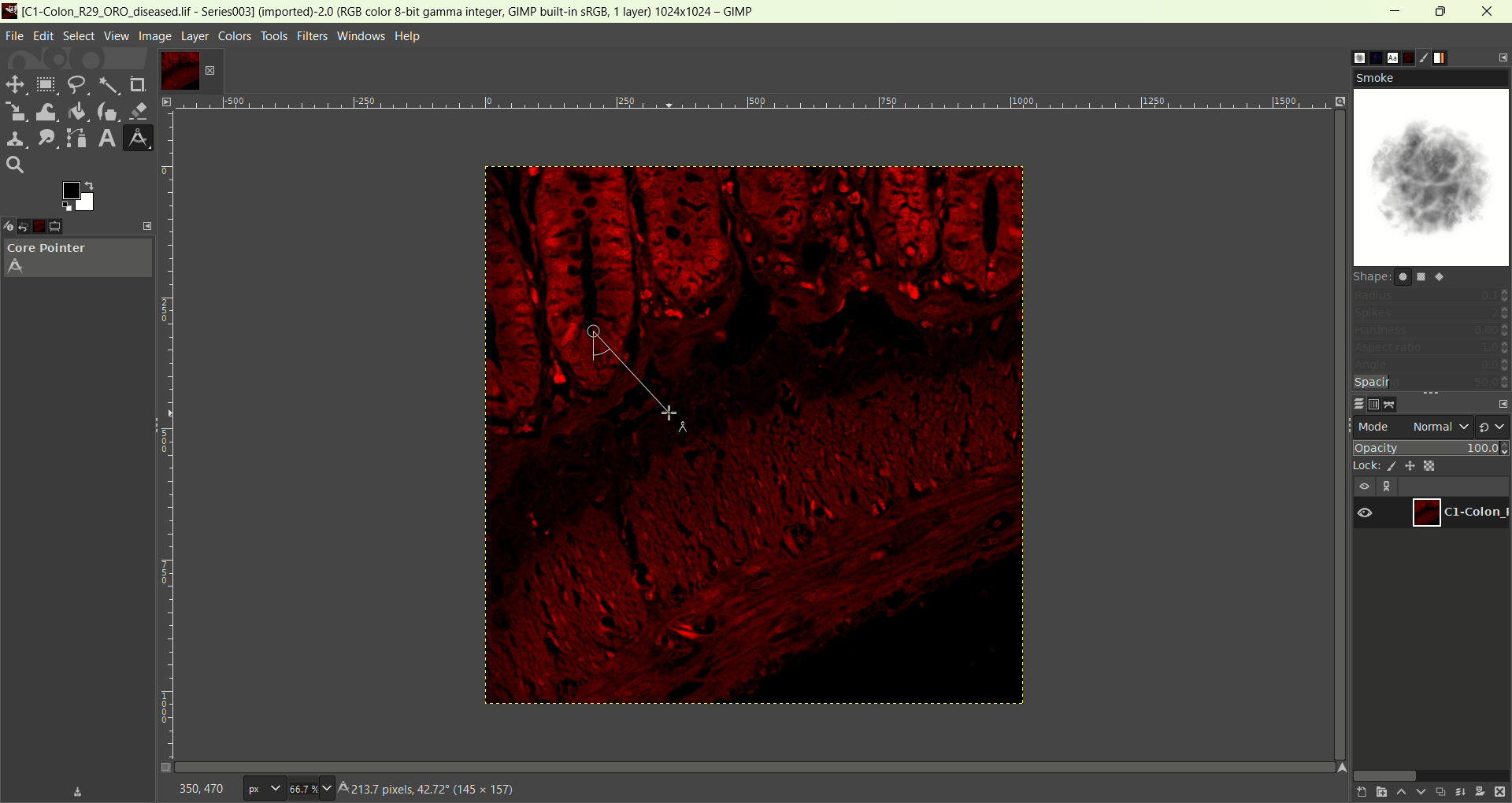  Describe the element at coordinates (9, 227) in the screenshot. I see `device status` at that location.